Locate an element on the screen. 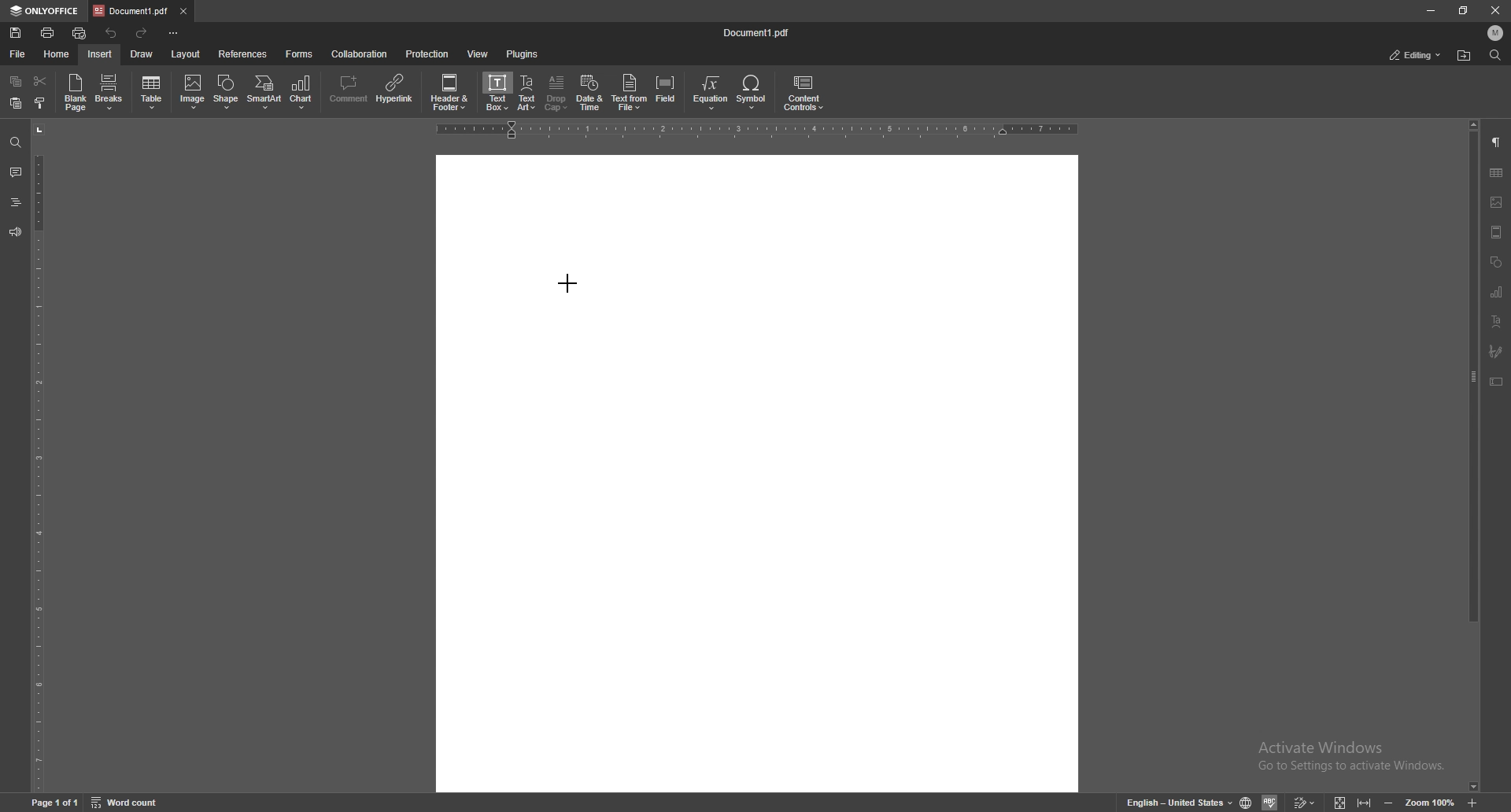  field is located at coordinates (667, 92).